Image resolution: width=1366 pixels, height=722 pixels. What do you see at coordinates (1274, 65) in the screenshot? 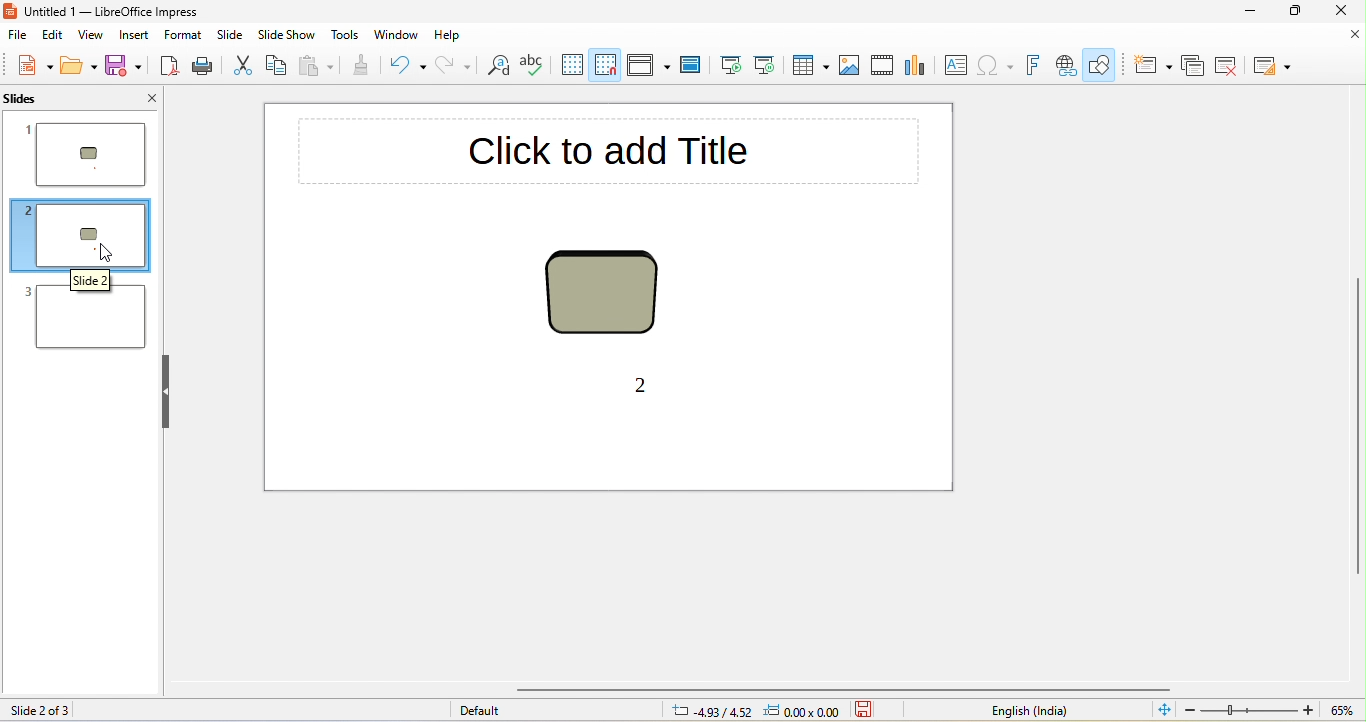
I see `slide layout` at bounding box center [1274, 65].